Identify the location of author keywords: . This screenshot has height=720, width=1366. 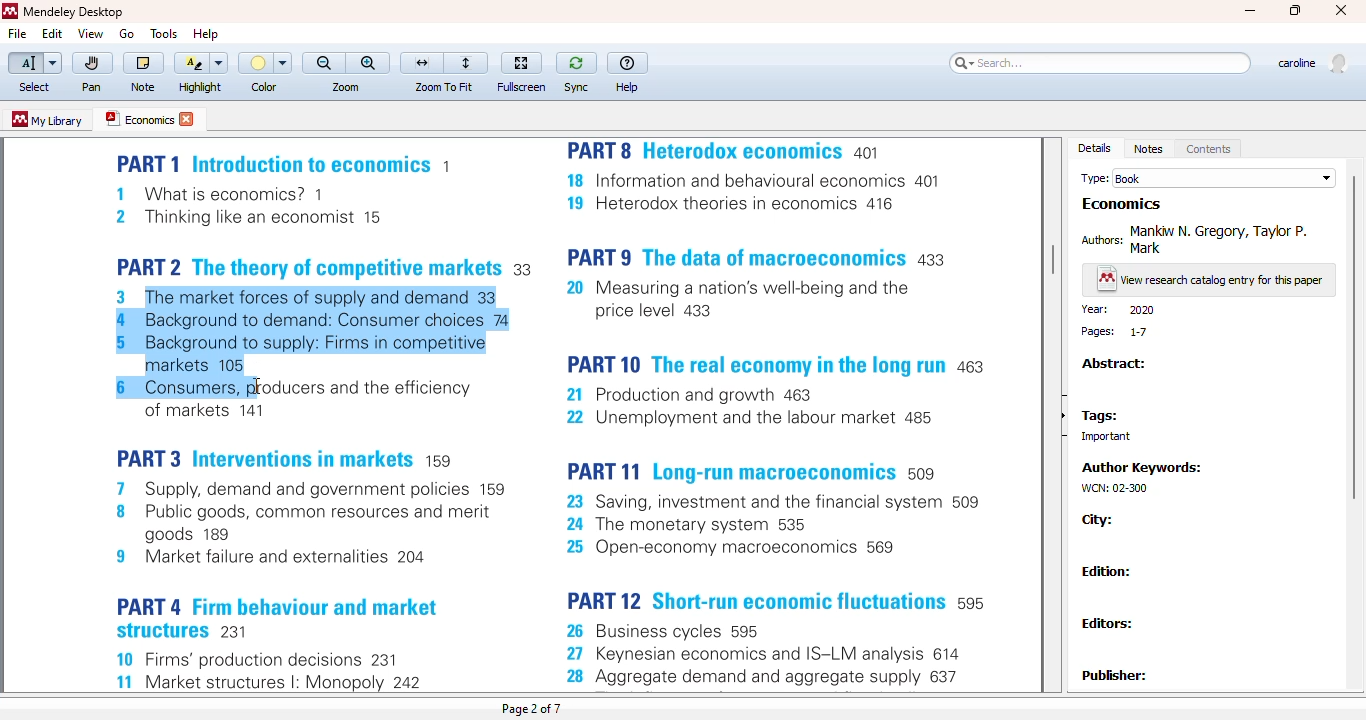
(1145, 467).